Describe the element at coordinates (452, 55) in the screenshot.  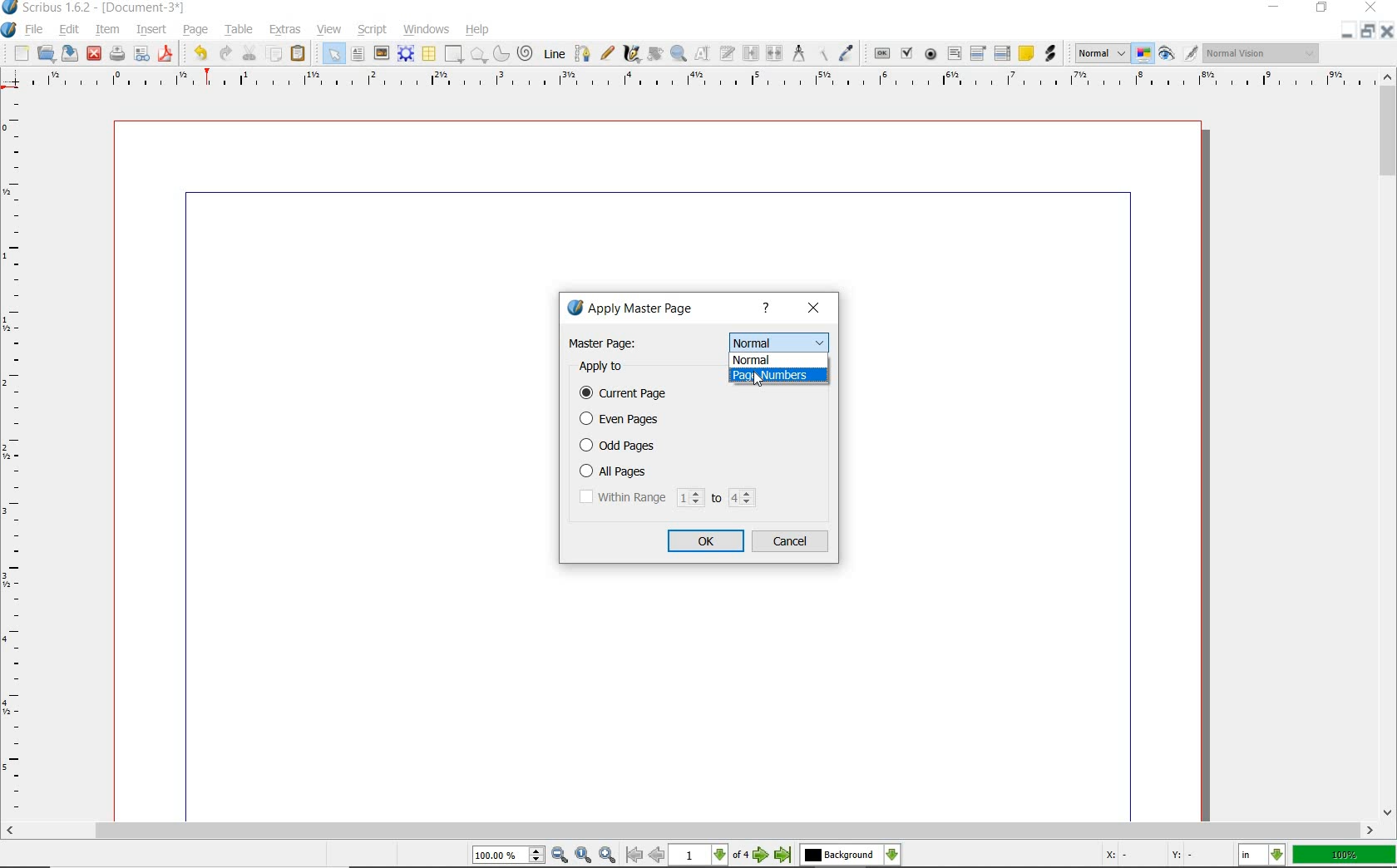
I see `shape` at that location.